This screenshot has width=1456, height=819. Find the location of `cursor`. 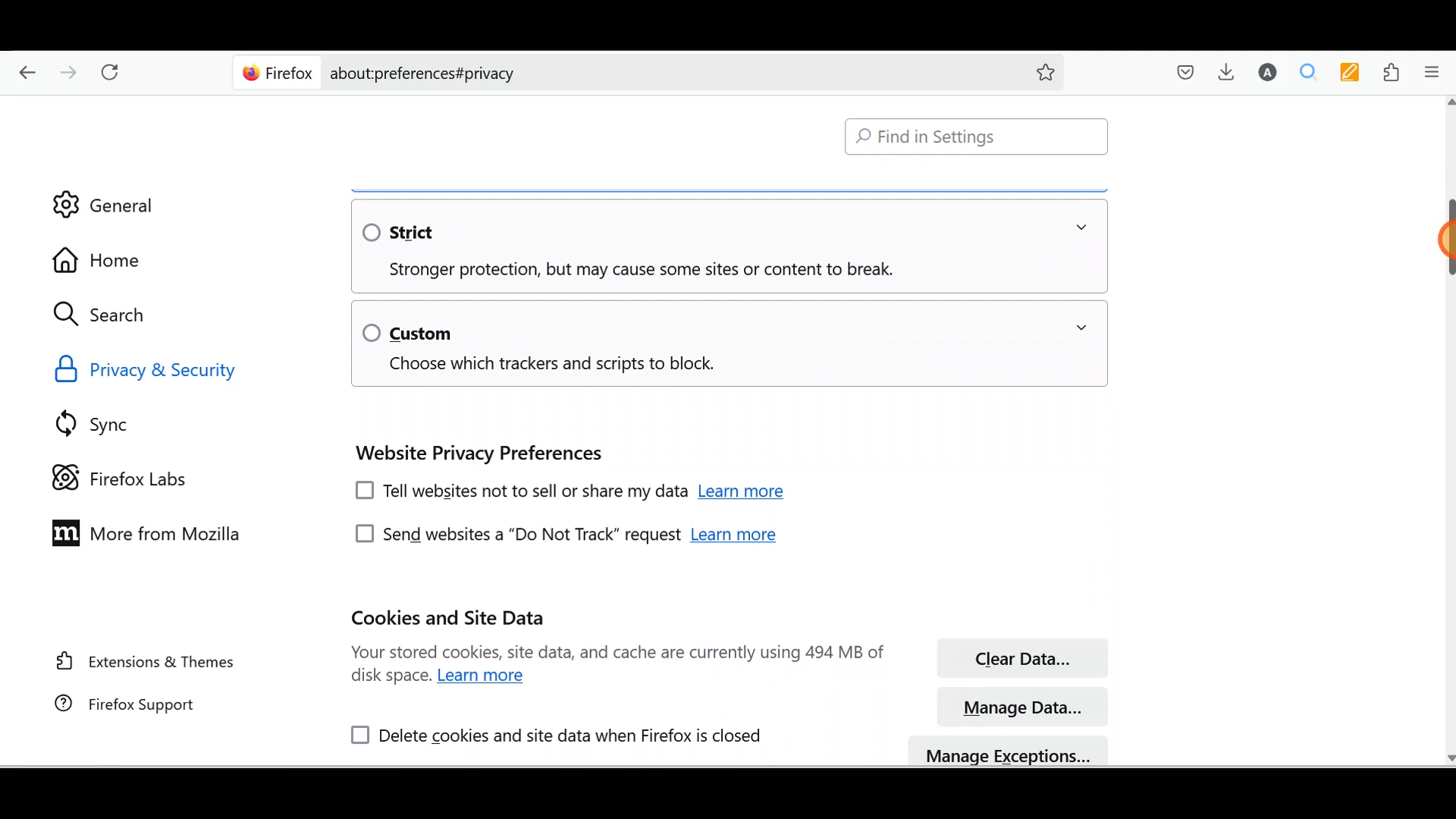

cursor is located at coordinates (1447, 240).